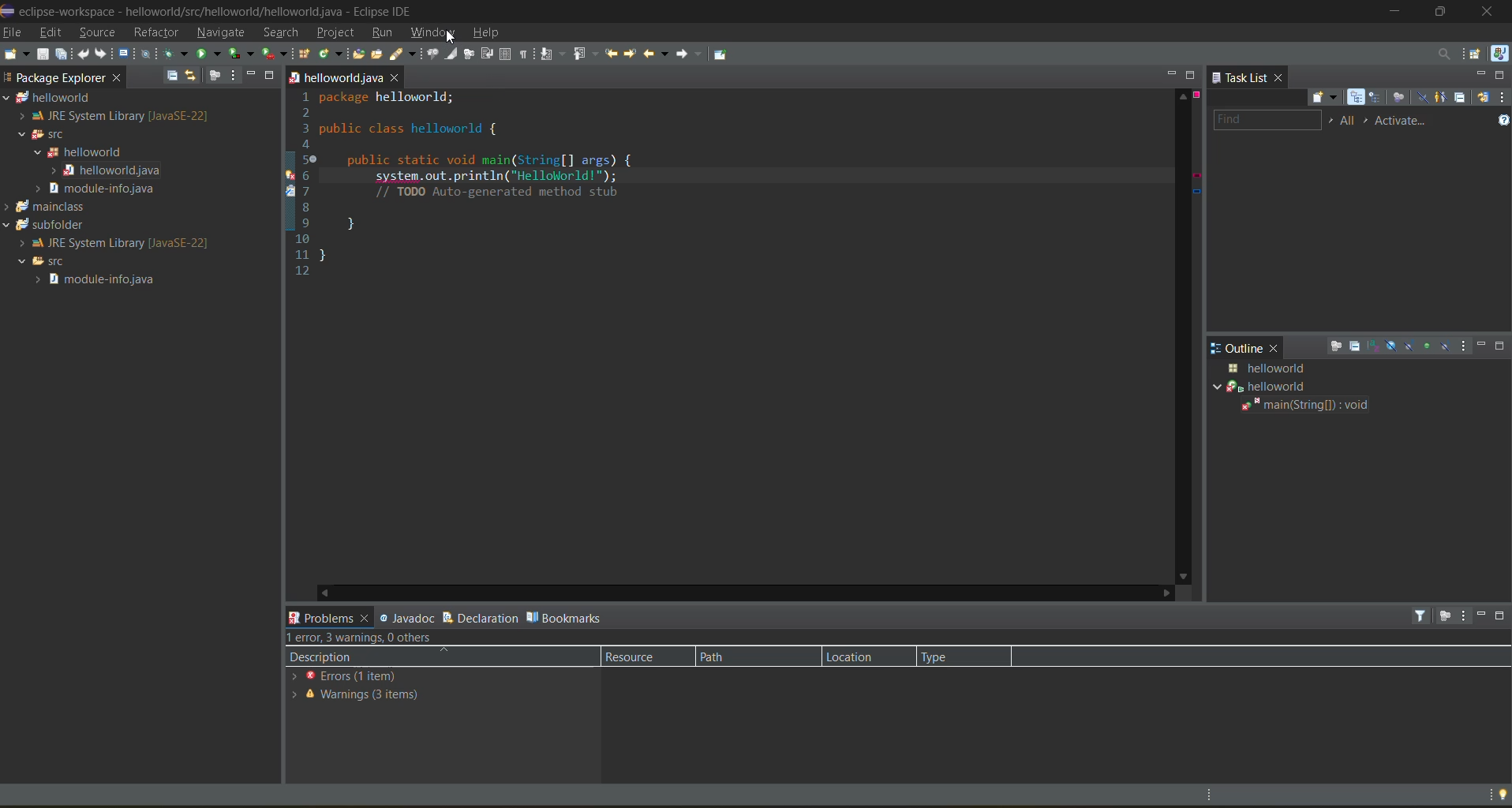 This screenshot has height=808, width=1512. Describe the element at coordinates (637, 659) in the screenshot. I see `resource` at that location.